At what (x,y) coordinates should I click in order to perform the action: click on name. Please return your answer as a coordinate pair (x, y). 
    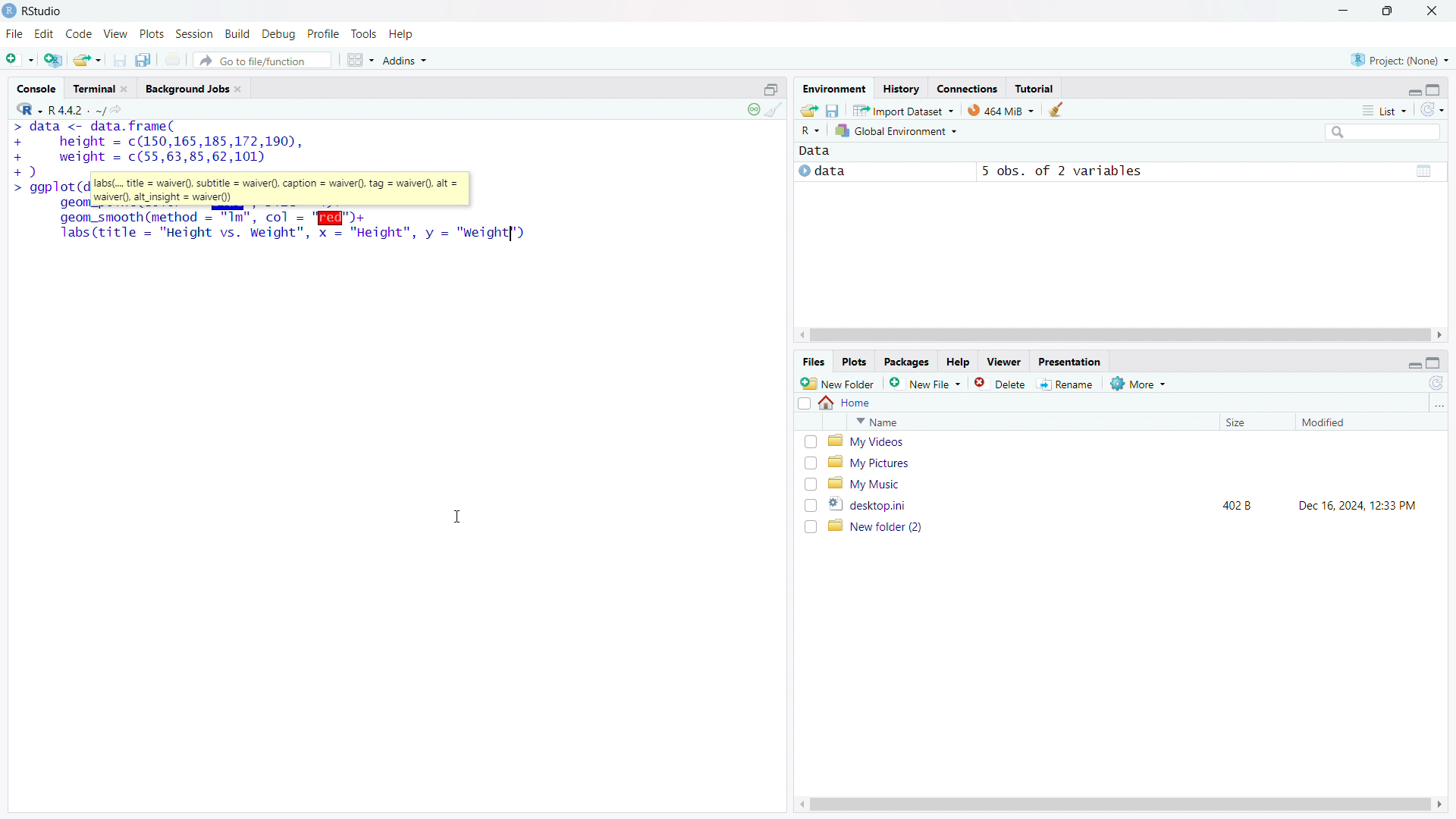
    Looking at the image, I should click on (1030, 422).